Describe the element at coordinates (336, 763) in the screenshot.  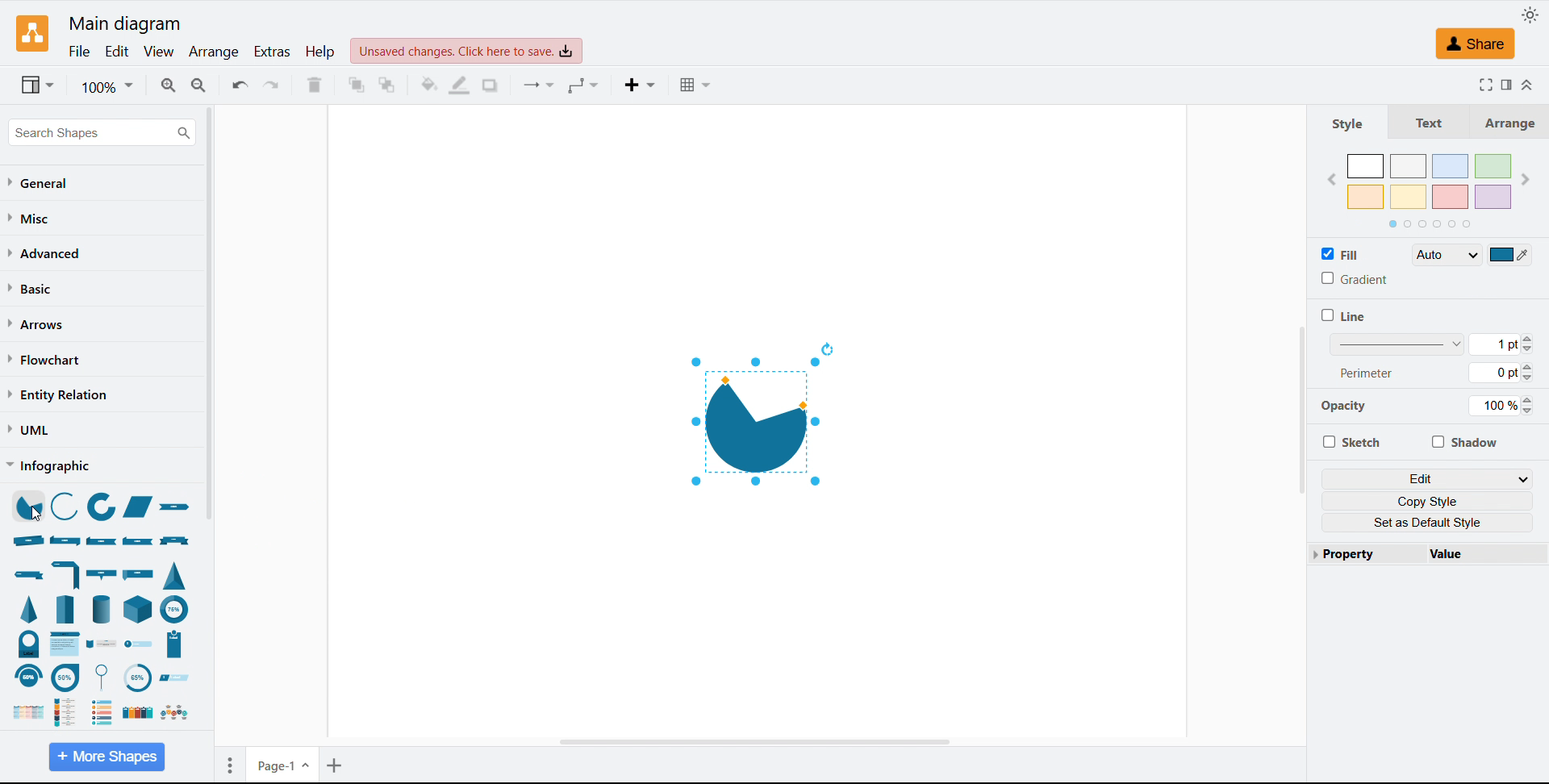
I see `Add pages ` at that location.